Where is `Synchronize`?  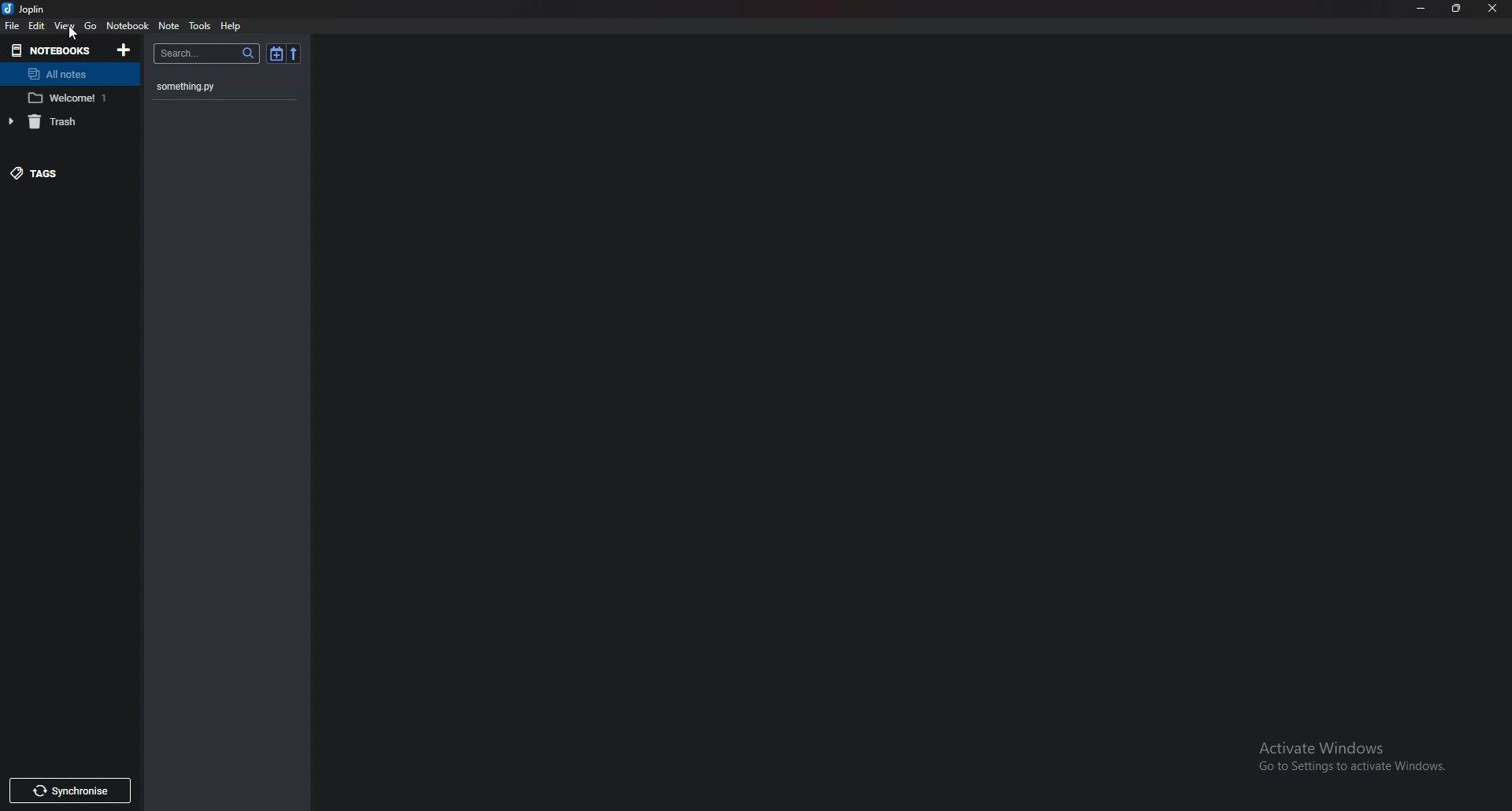 Synchronize is located at coordinates (69, 791).